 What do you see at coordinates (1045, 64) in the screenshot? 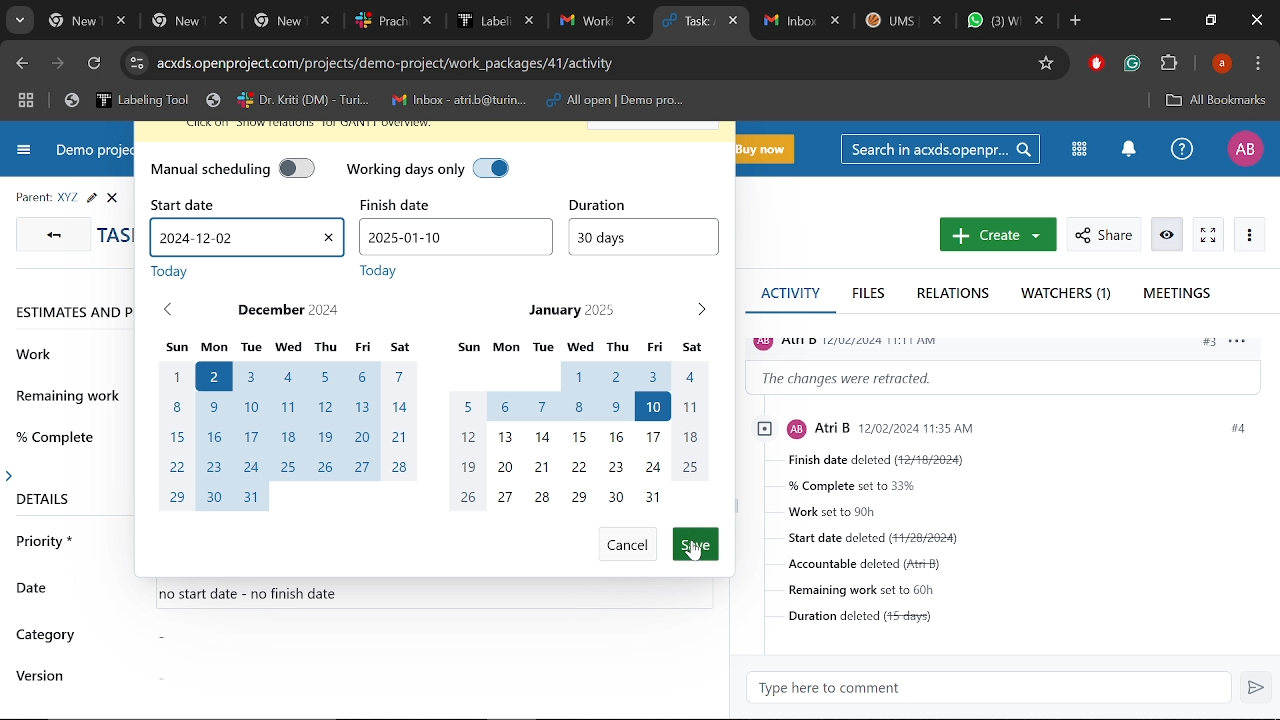
I see `Add/remove bookmark` at bounding box center [1045, 64].